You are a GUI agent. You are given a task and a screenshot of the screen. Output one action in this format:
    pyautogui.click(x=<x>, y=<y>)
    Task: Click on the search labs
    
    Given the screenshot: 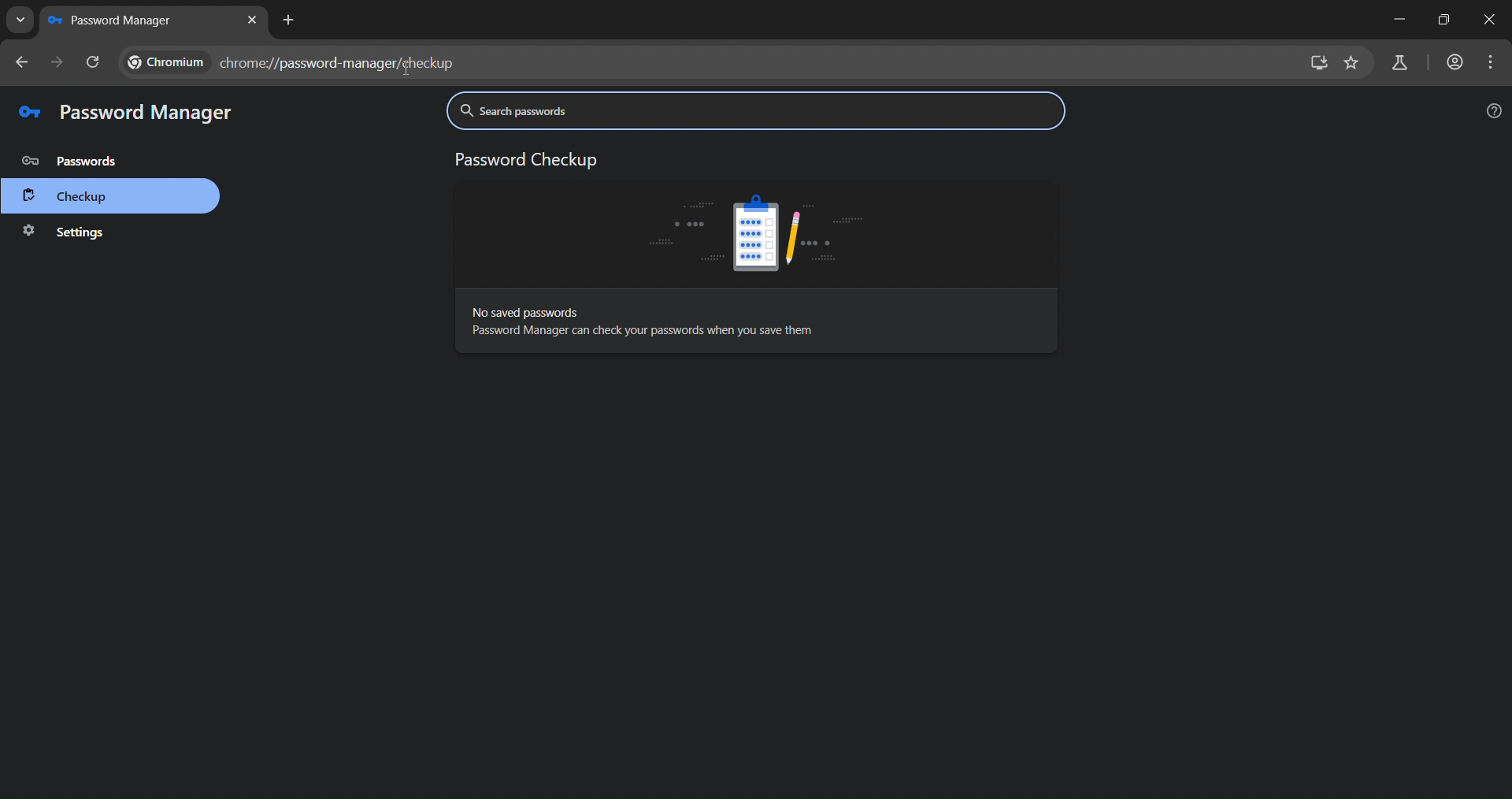 What is the action you would take?
    pyautogui.click(x=1399, y=63)
    